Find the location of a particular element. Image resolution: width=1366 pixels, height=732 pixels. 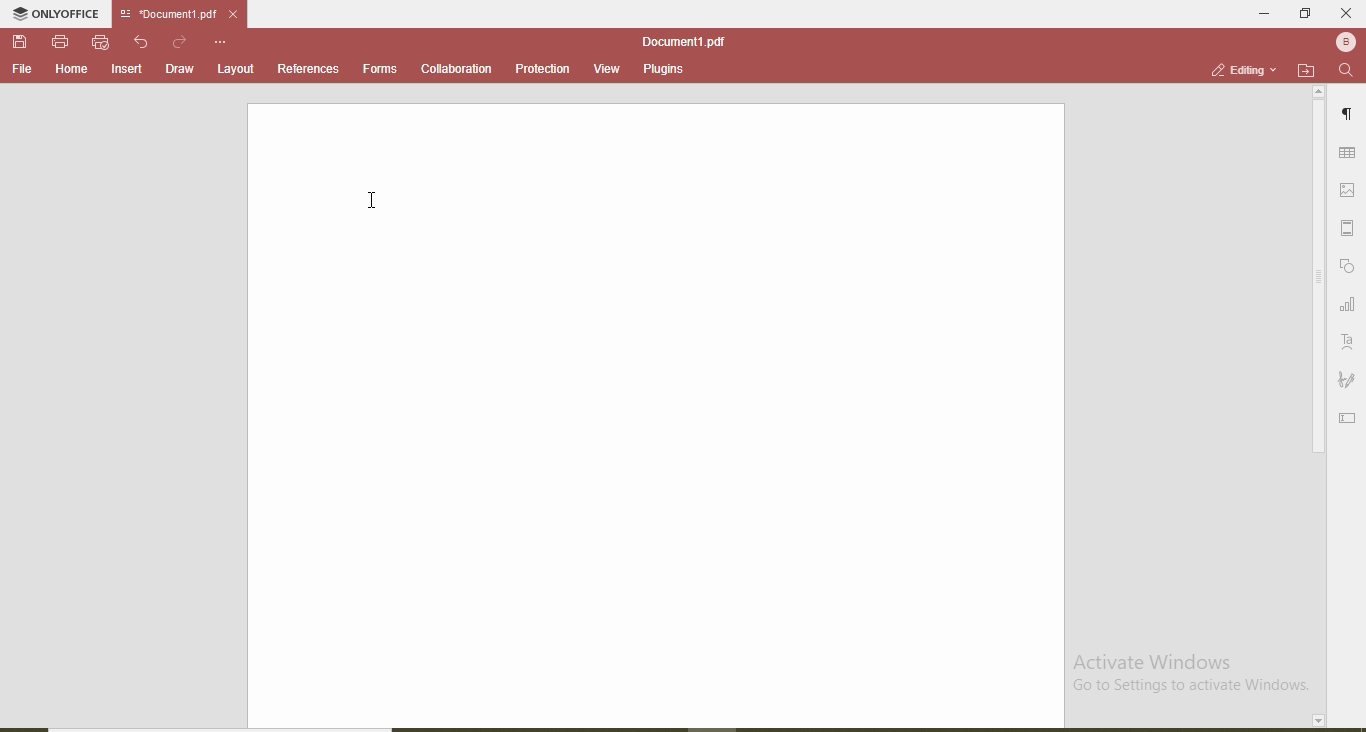

layout is located at coordinates (237, 68).